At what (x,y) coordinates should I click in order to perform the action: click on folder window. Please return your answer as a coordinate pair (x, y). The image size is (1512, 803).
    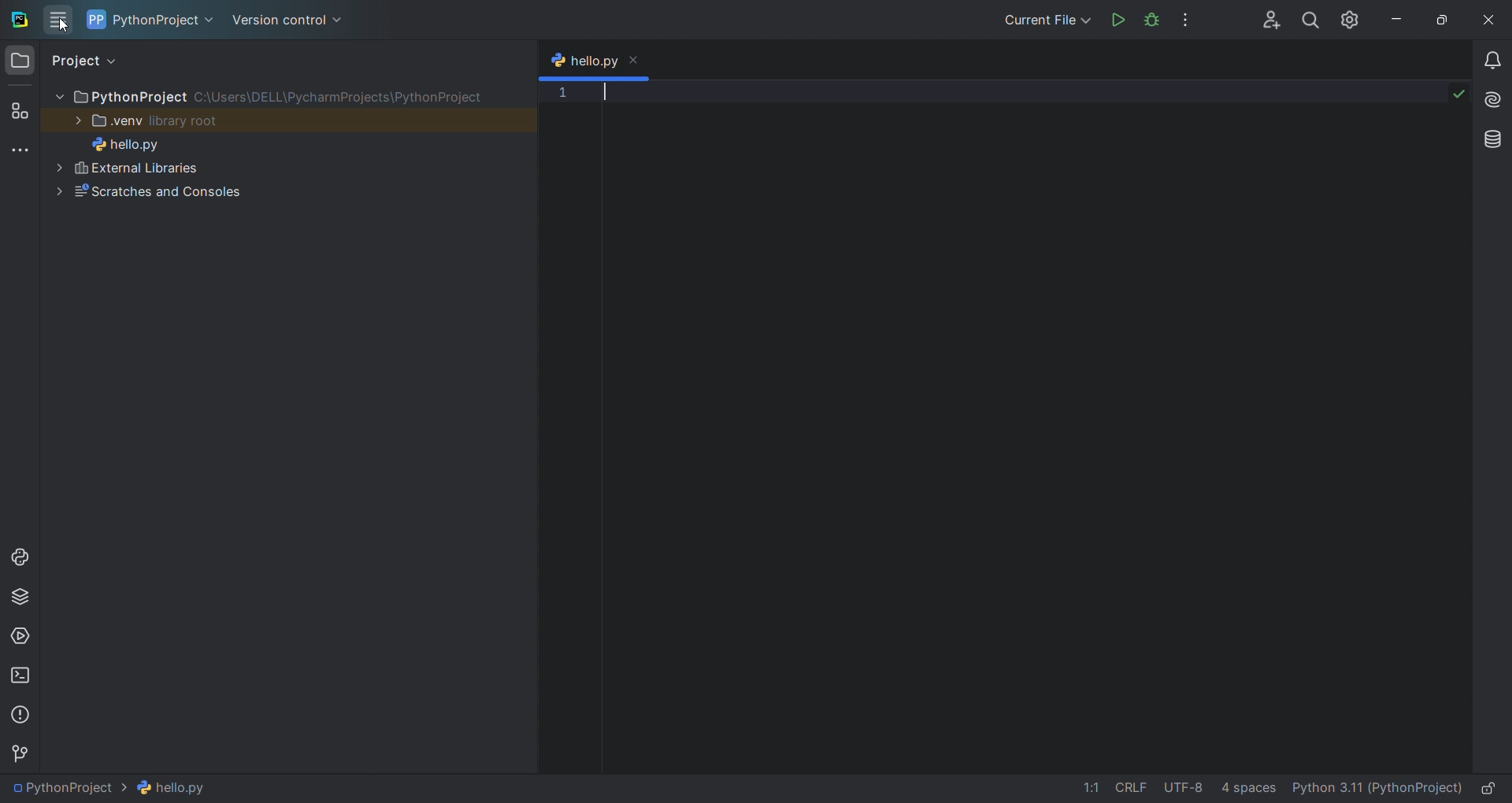
    Looking at the image, I should click on (20, 65).